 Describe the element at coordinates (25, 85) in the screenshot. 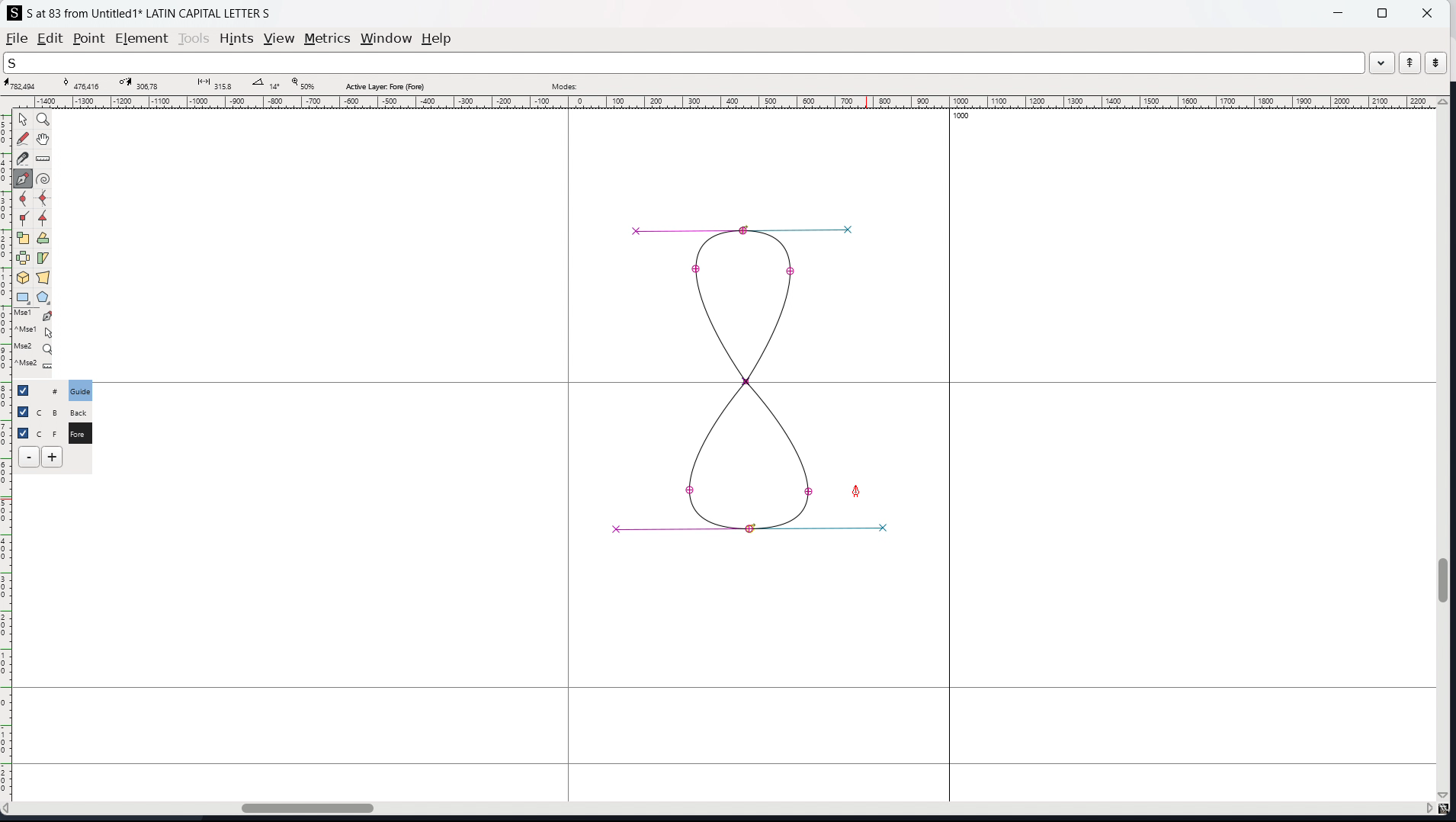

I see `cursor coordinate` at that location.